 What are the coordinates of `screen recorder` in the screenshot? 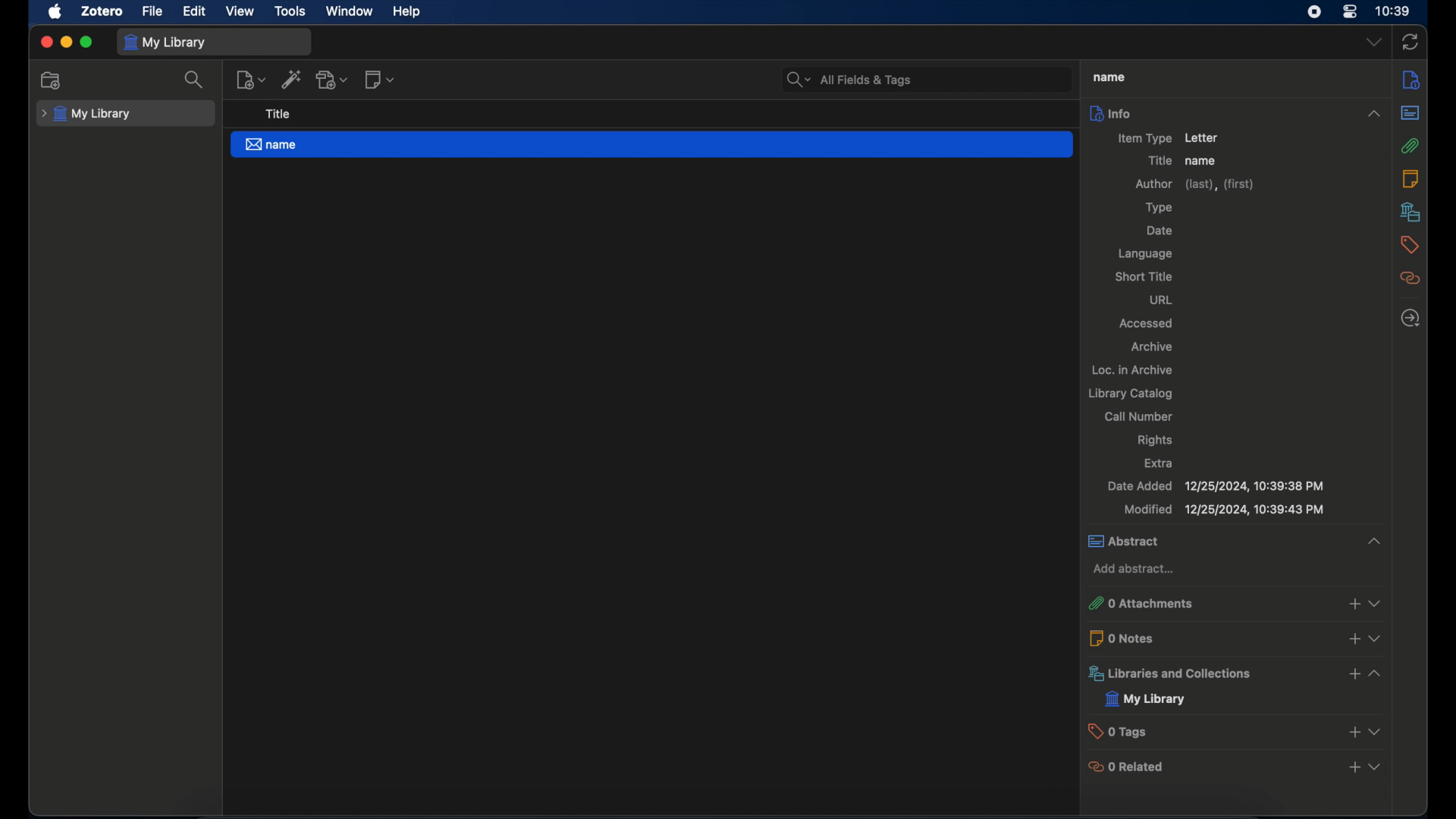 It's located at (1314, 12).